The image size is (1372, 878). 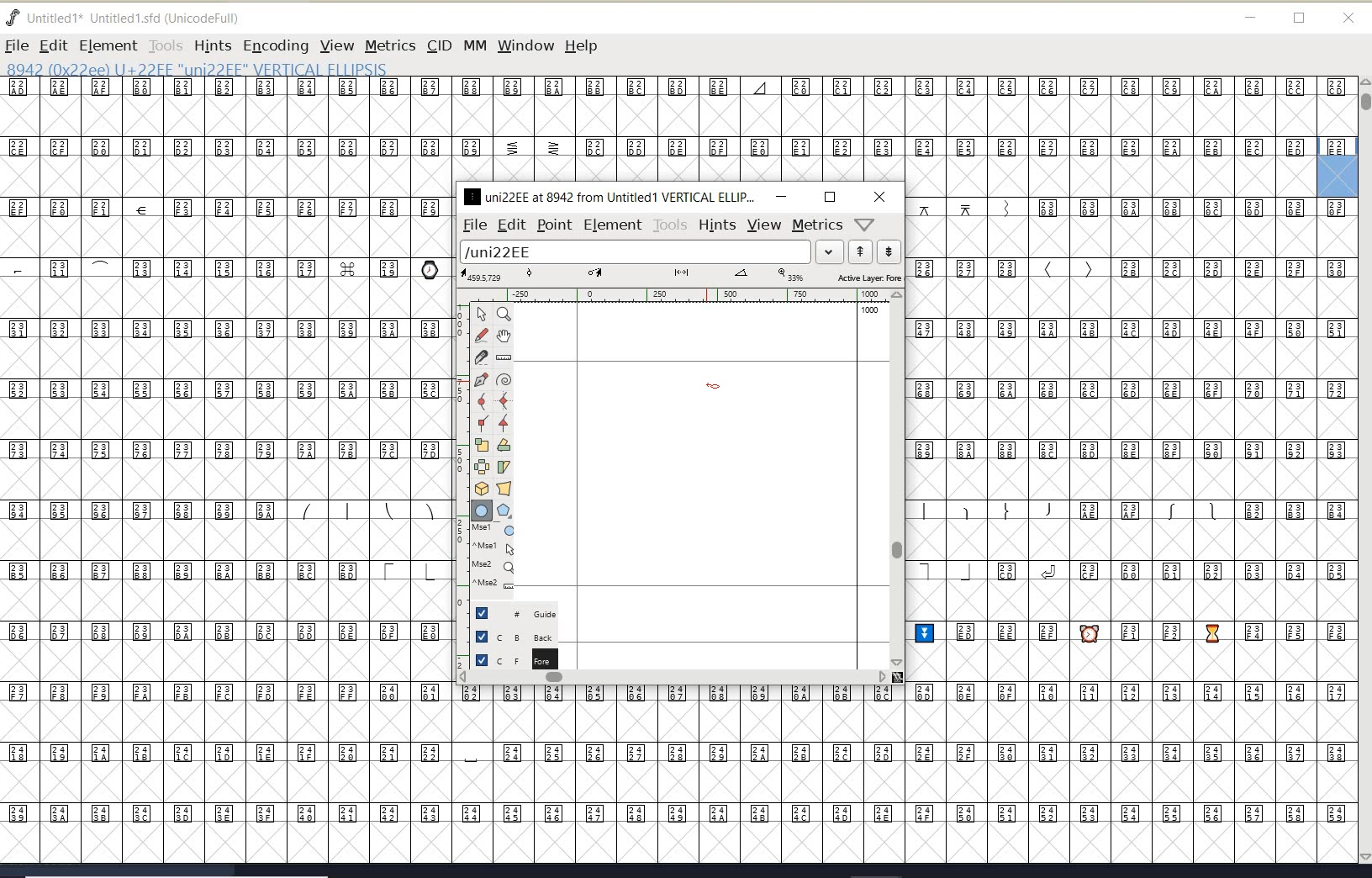 I want to click on uni22EE at 8942 from Untitled1 VERTICAL ELLIPSE, so click(x=609, y=196).